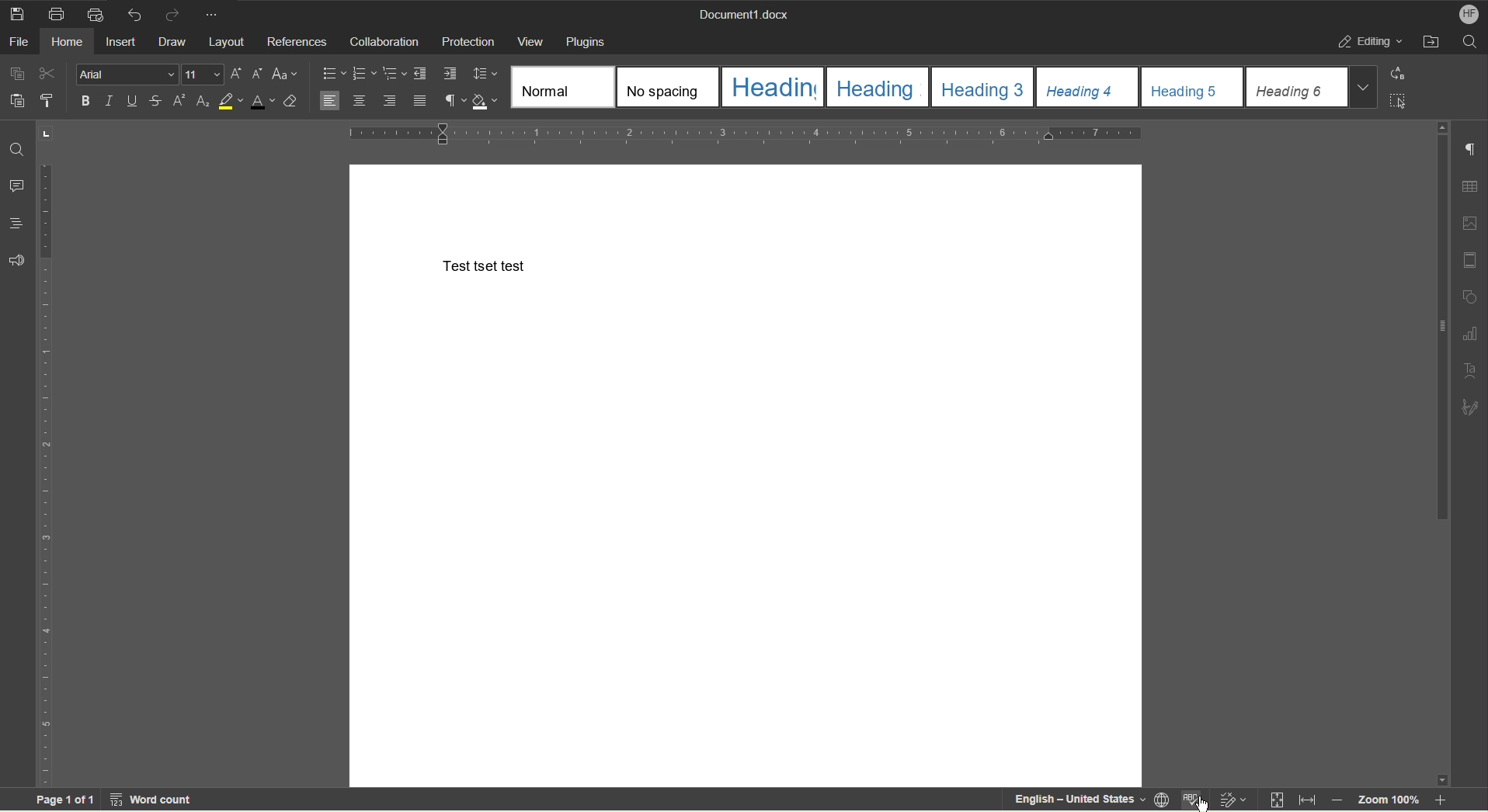 The height and width of the screenshot is (812, 1488). Describe the element at coordinates (363, 74) in the screenshot. I see `Numbered List` at that location.